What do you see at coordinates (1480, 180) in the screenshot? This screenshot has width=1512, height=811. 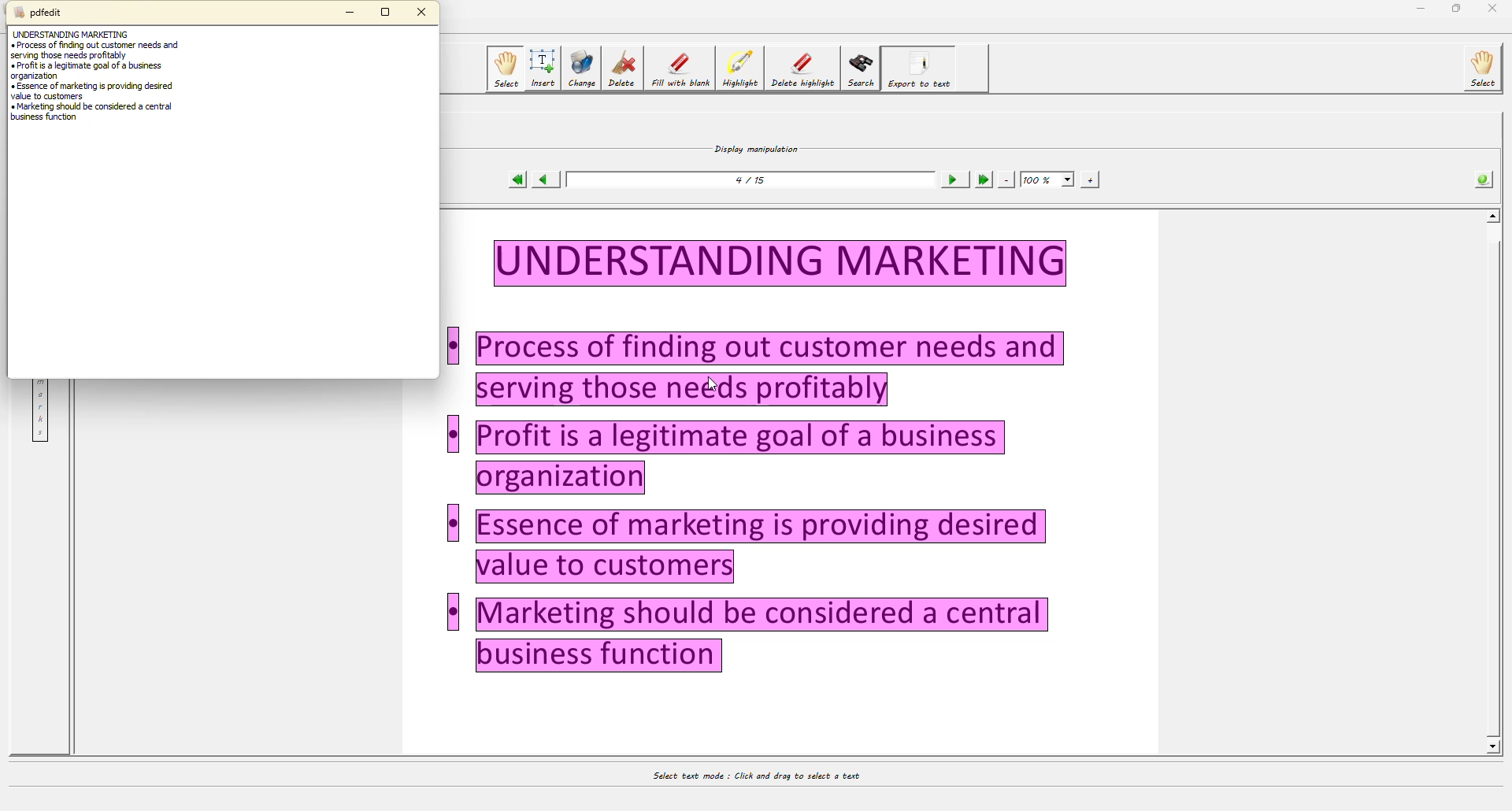 I see `info` at bounding box center [1480, 180].